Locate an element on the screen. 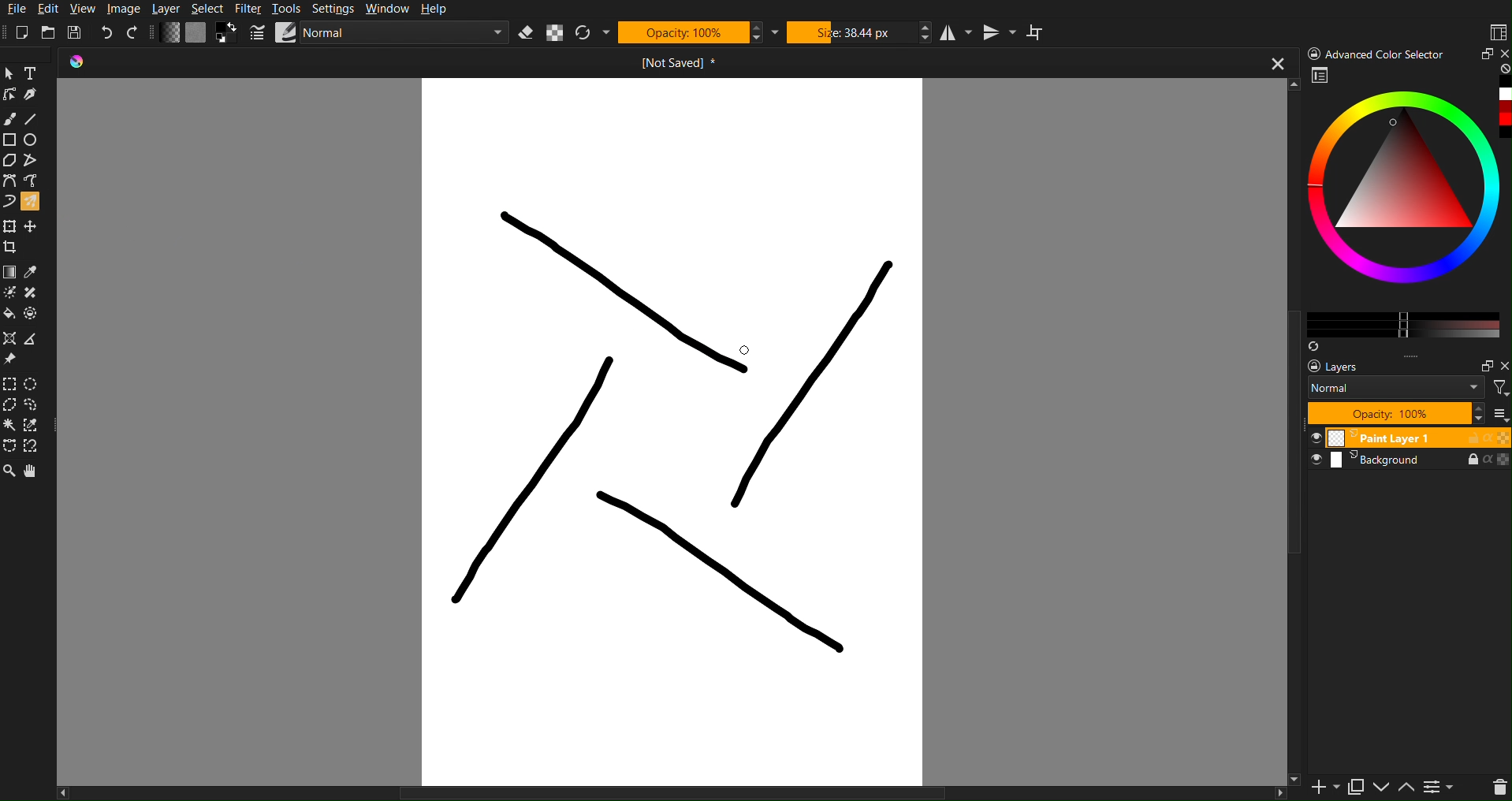 This screenshot has height=801, width=1512. Rectangular selection Tool is located at coordinates (9, 382).